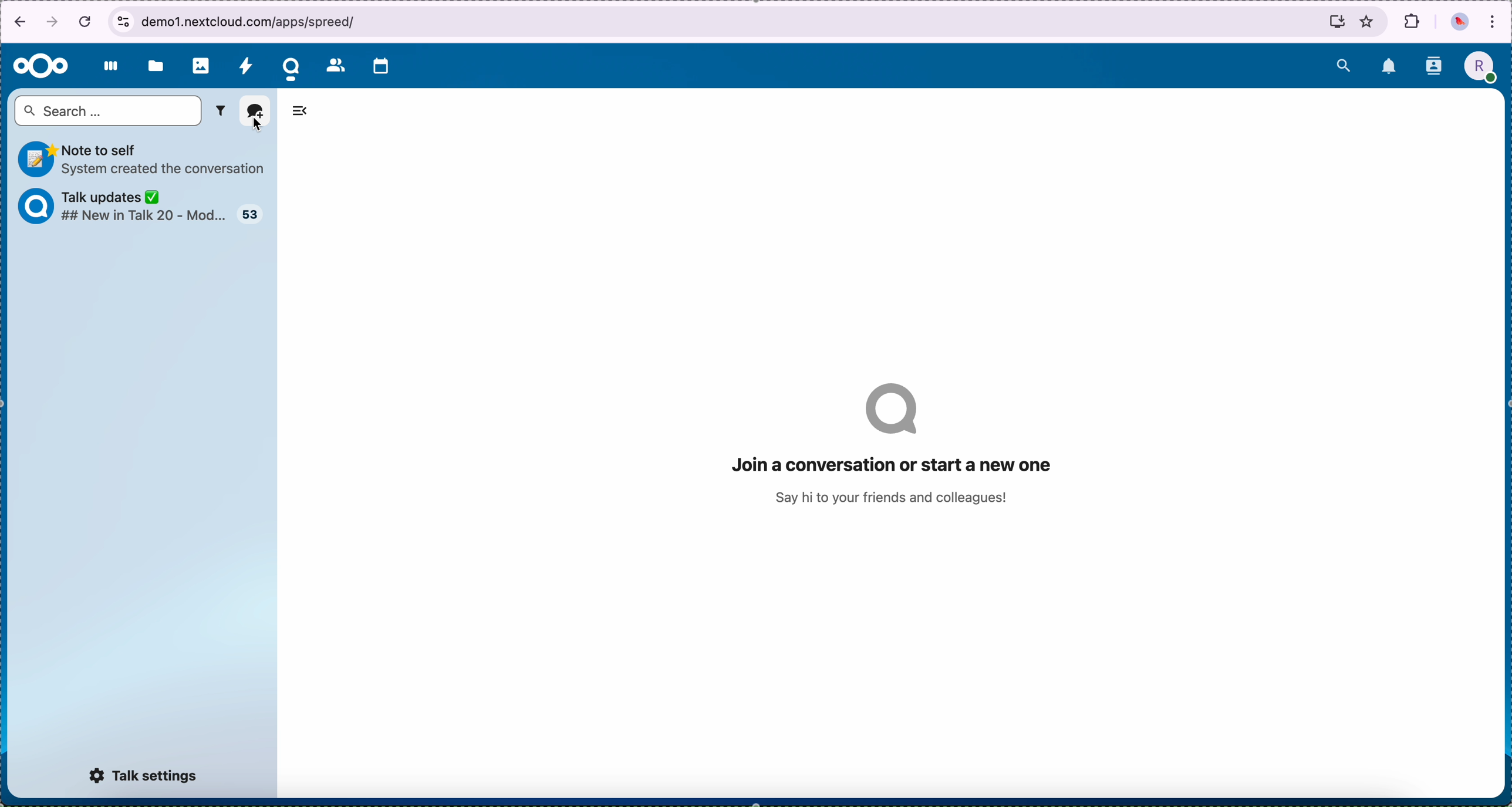  What do you see at coordinates (897, 450) in the screenshot?
I see `join a conversation or start a new one` at bounding box center [897, 450].